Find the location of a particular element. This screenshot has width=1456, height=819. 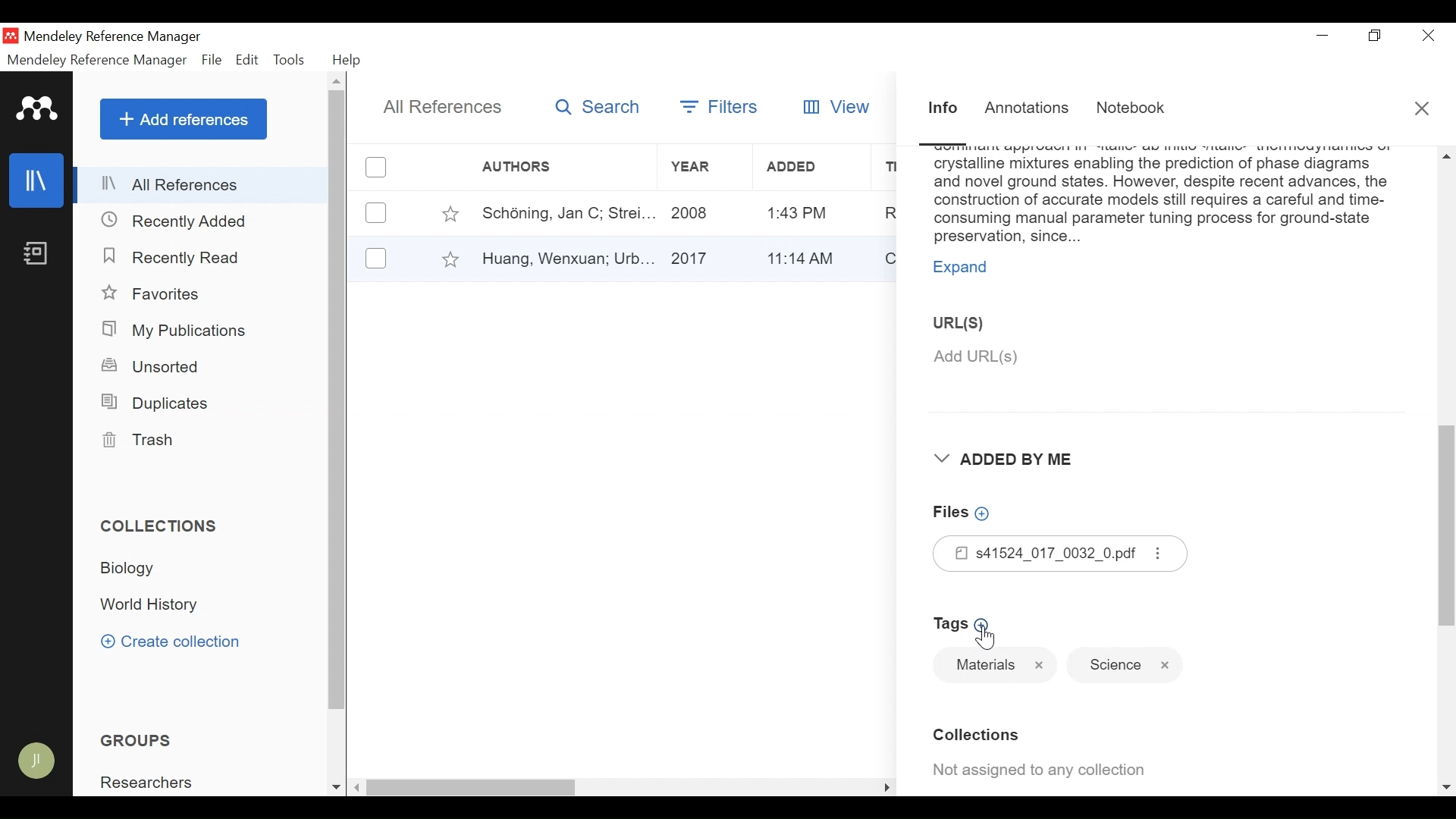

(un)select is located at coordinates (376, 258).